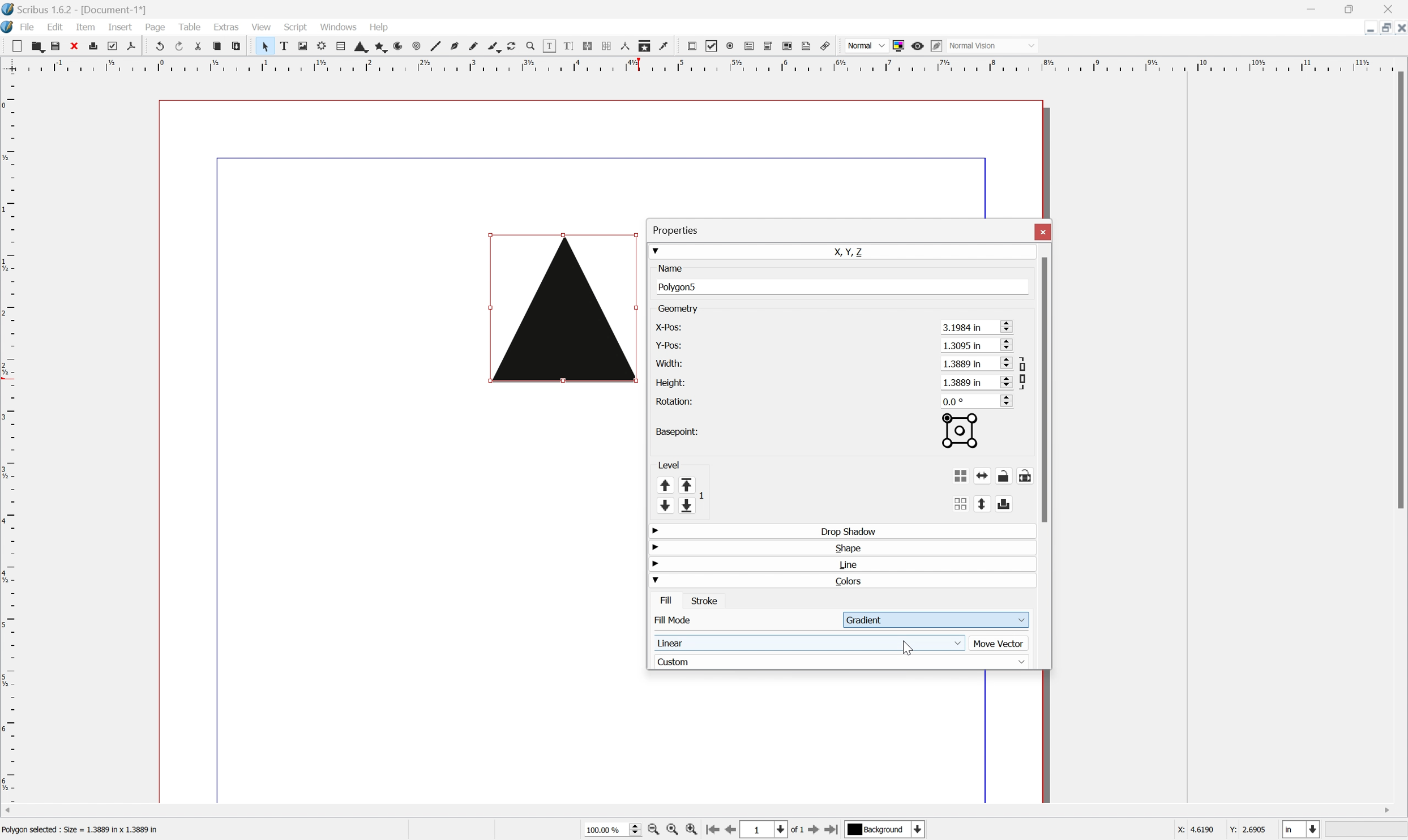 The width and height of the screenshot is (1408, 840). I want to click on Extras, so click(226, 26).